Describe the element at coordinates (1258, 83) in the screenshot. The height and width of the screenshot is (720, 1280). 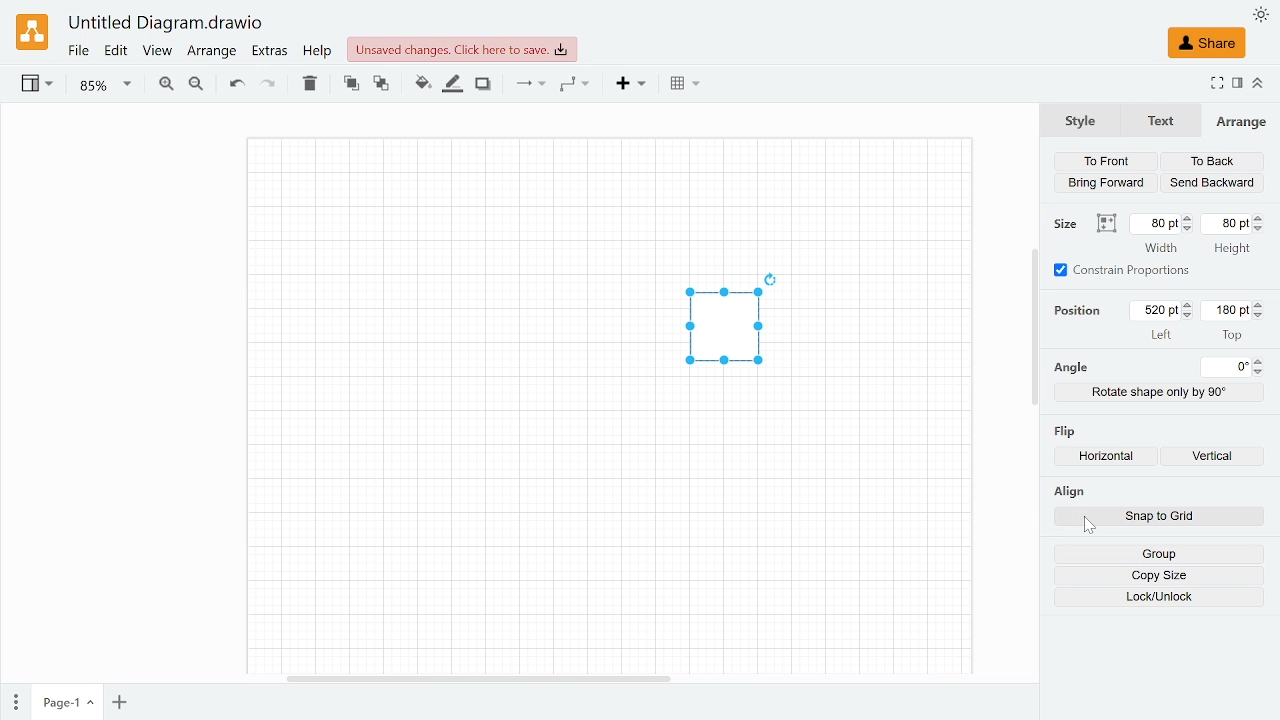
I see `Collapse /expamd` at that location.